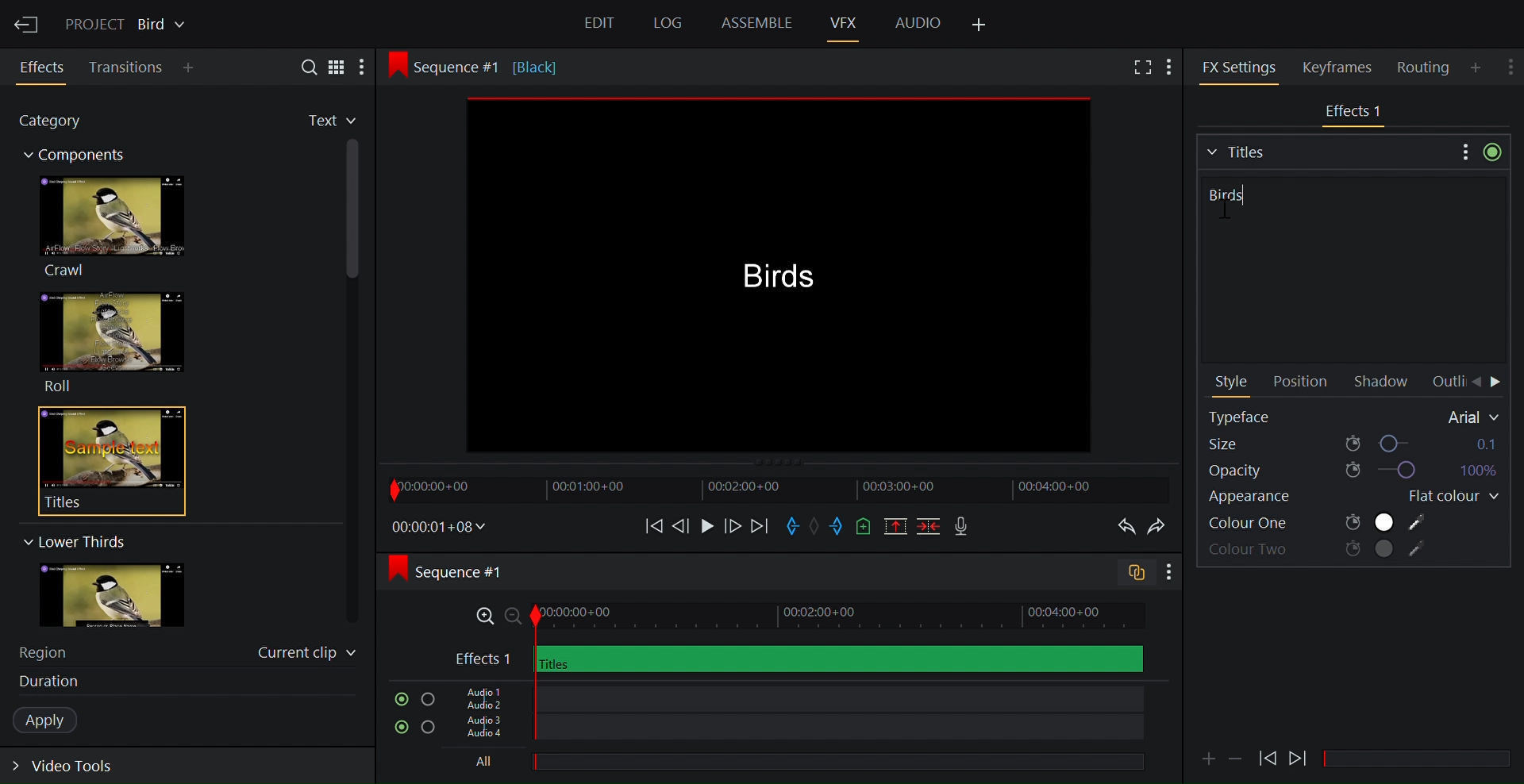 Image resolution: width=1524 pixels, height=784 pixels. What do you see at coordinates (918, 21) in the screenshot?
I see `Audio` at bounding box center [918, 21].